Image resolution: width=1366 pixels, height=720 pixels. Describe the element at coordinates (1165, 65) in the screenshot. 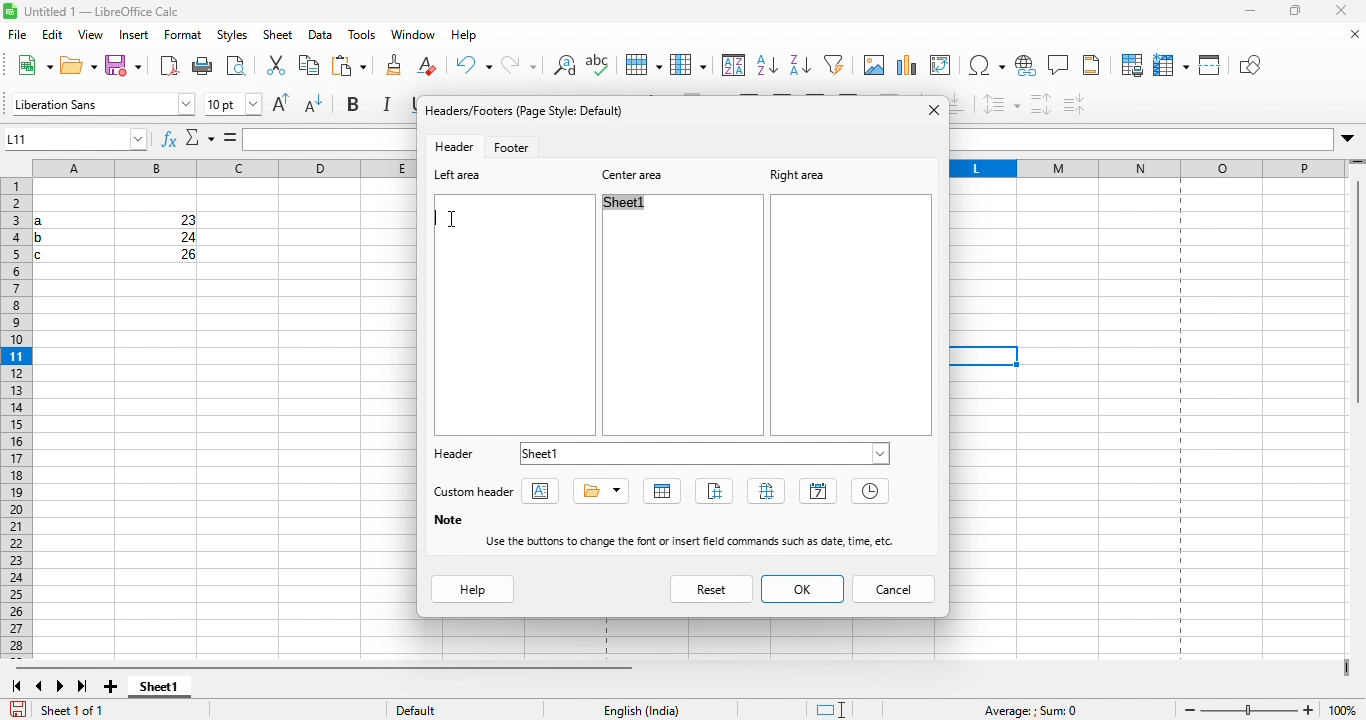

I see `freeze row and column` at that location.